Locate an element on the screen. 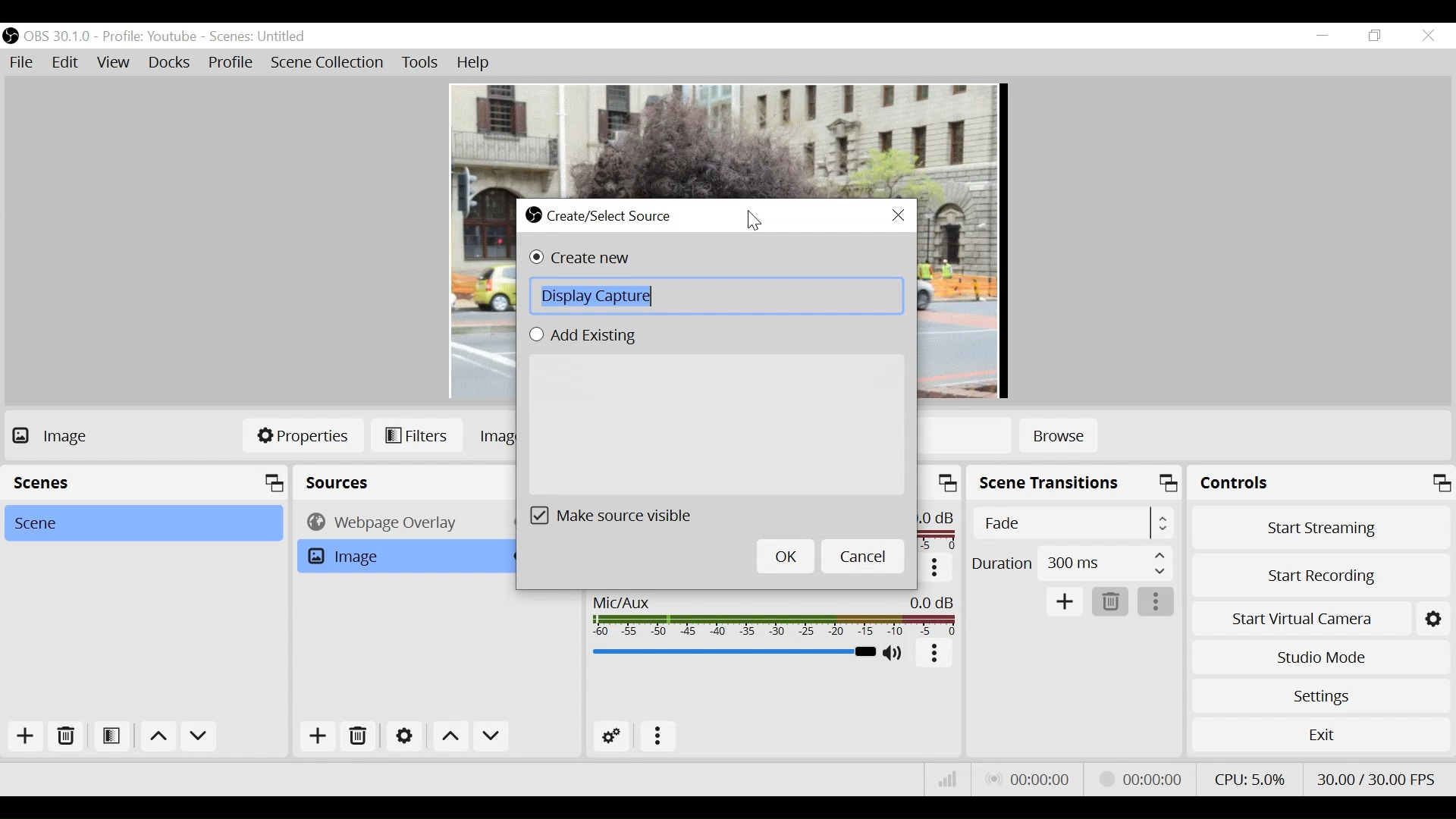 The image size is (1456, 819). Open Scene Filter is located at coordinates (110, 737).